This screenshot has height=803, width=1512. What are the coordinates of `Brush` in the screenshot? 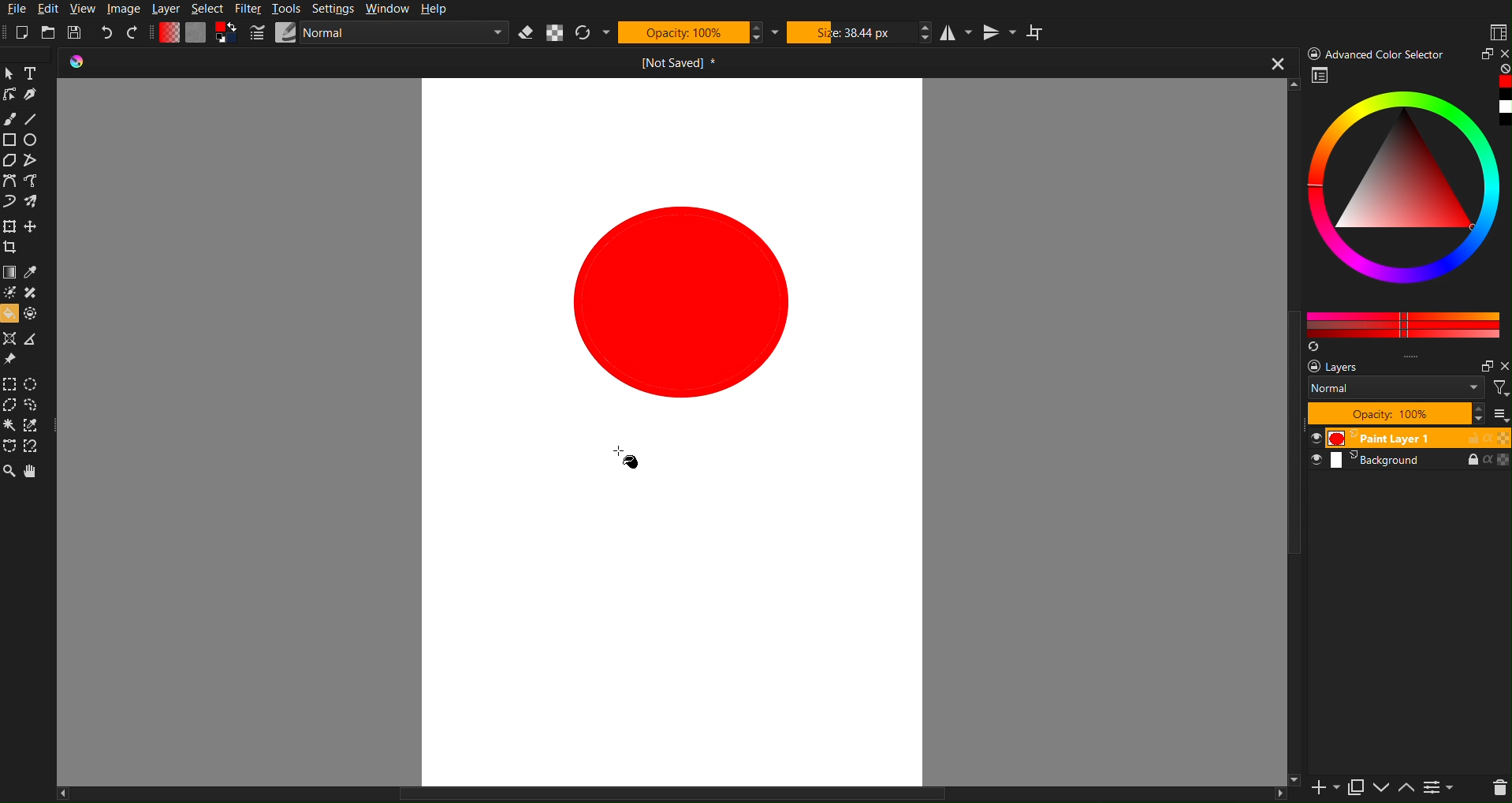 It's located at (10, 119).